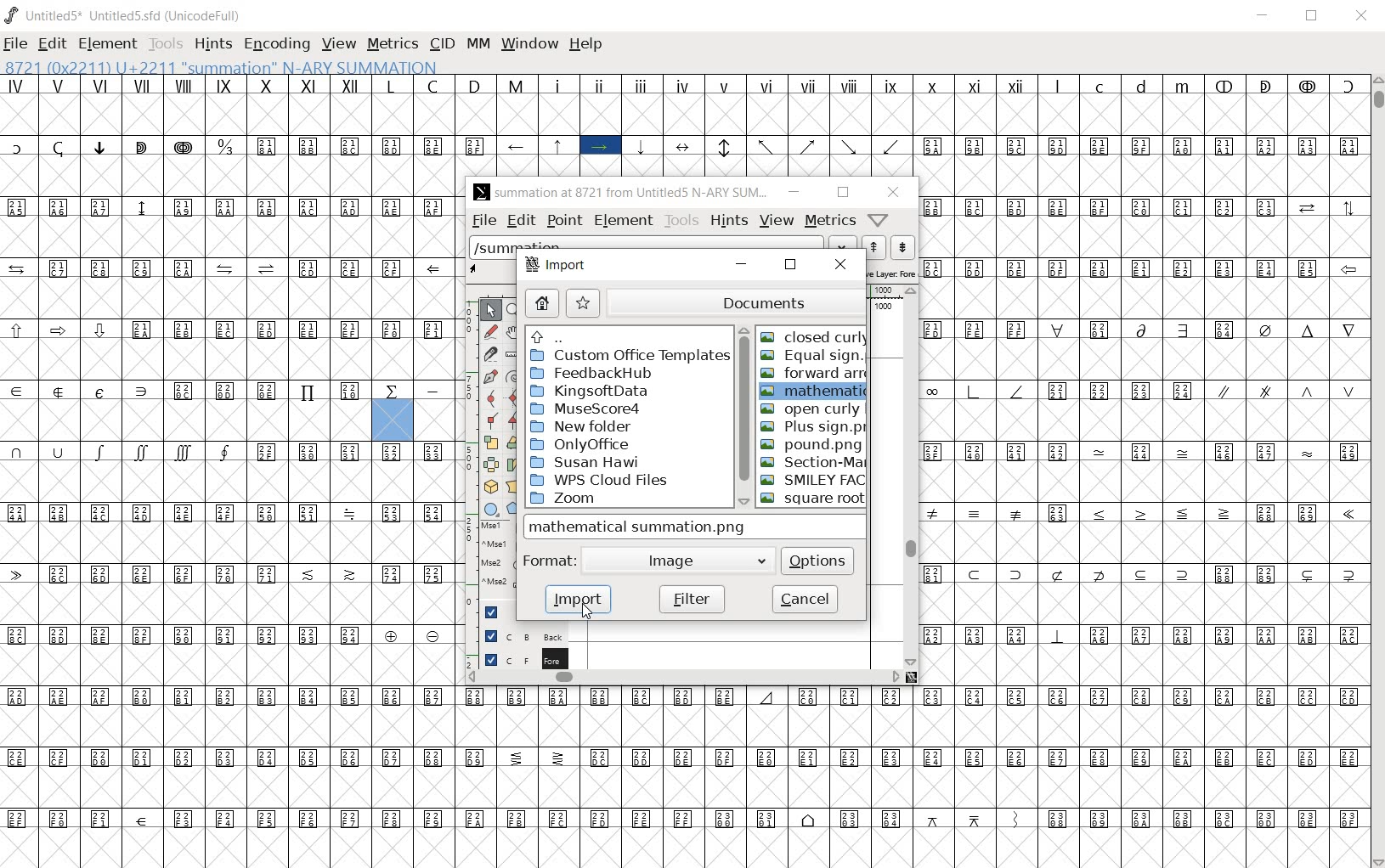  I want to click on OPEN CURLY, so click(809, 409).